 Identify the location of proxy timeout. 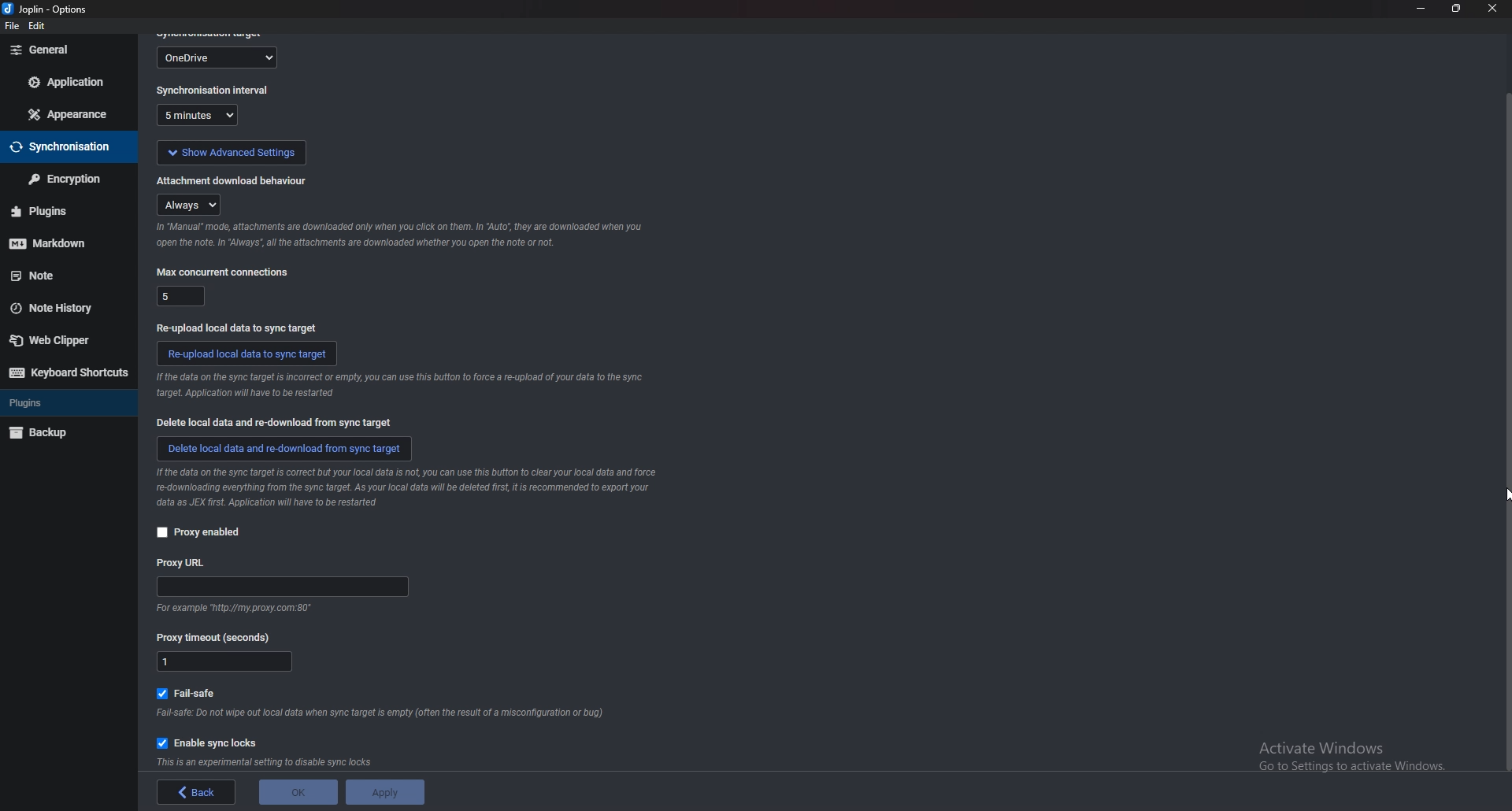
(225, 663).